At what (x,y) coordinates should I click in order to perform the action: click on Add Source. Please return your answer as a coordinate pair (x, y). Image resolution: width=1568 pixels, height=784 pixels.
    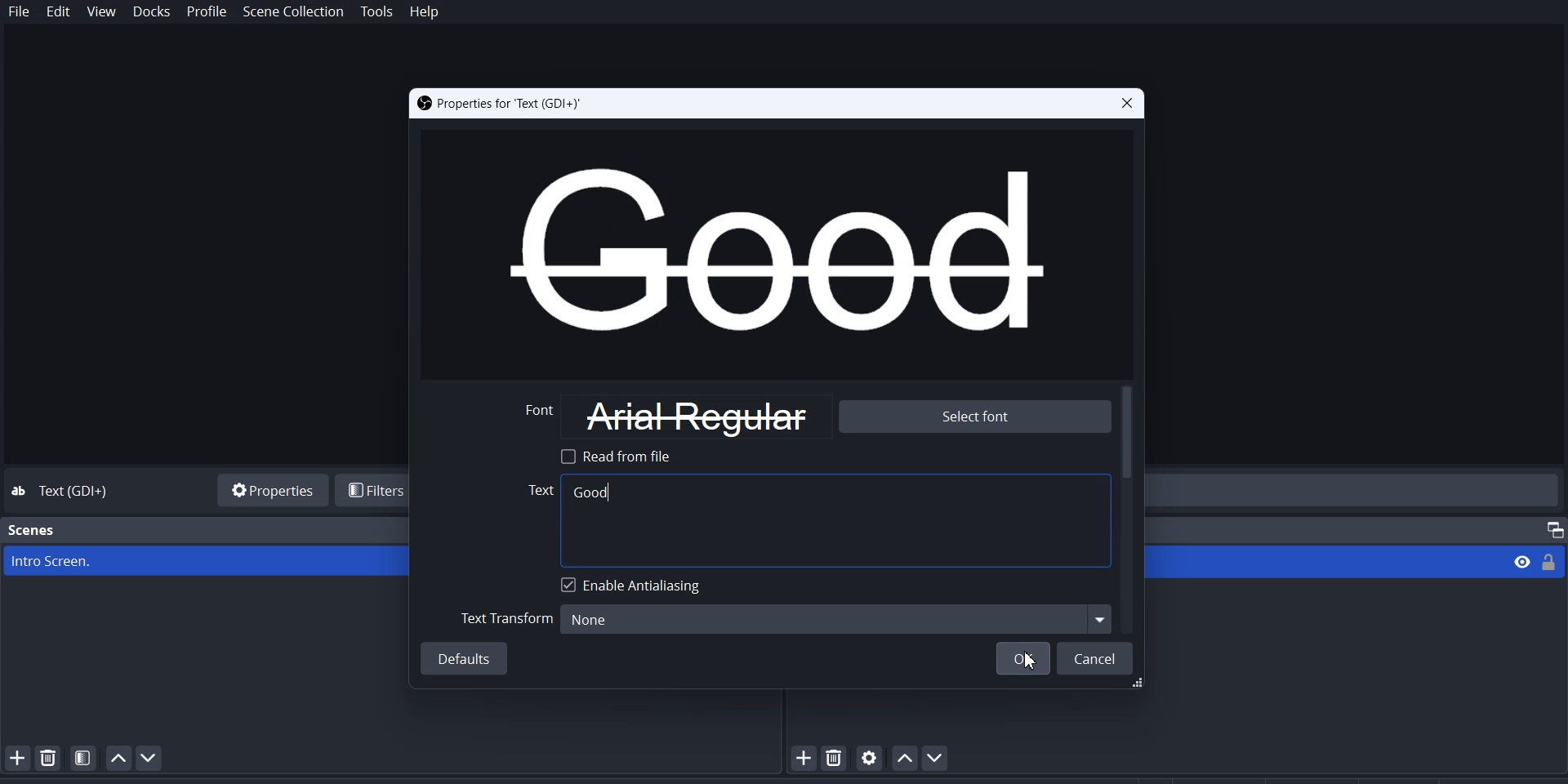
    Looking at the image, I should click on (804, 758).